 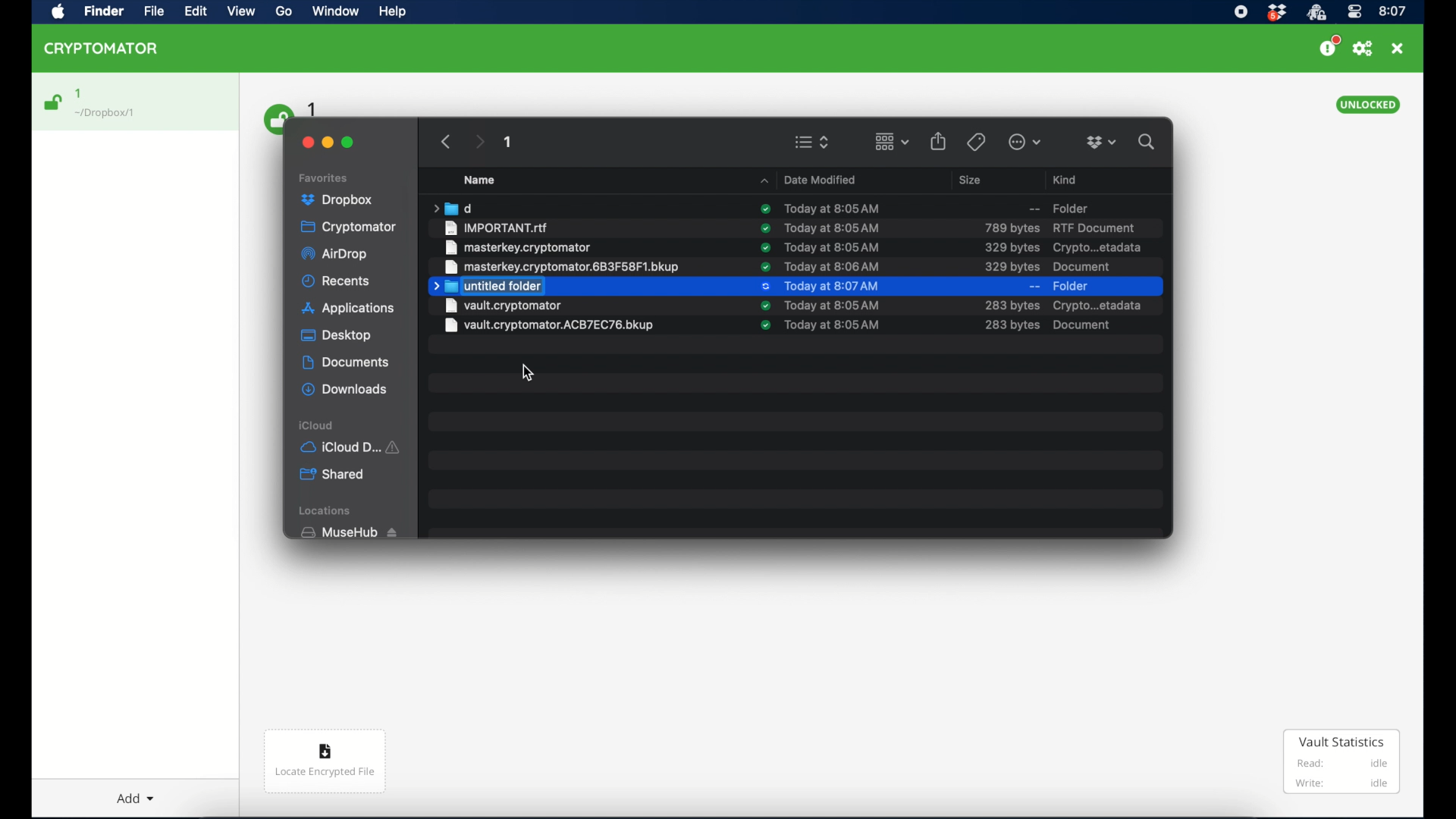 I want to click on close, so click(x=1398, y=49).